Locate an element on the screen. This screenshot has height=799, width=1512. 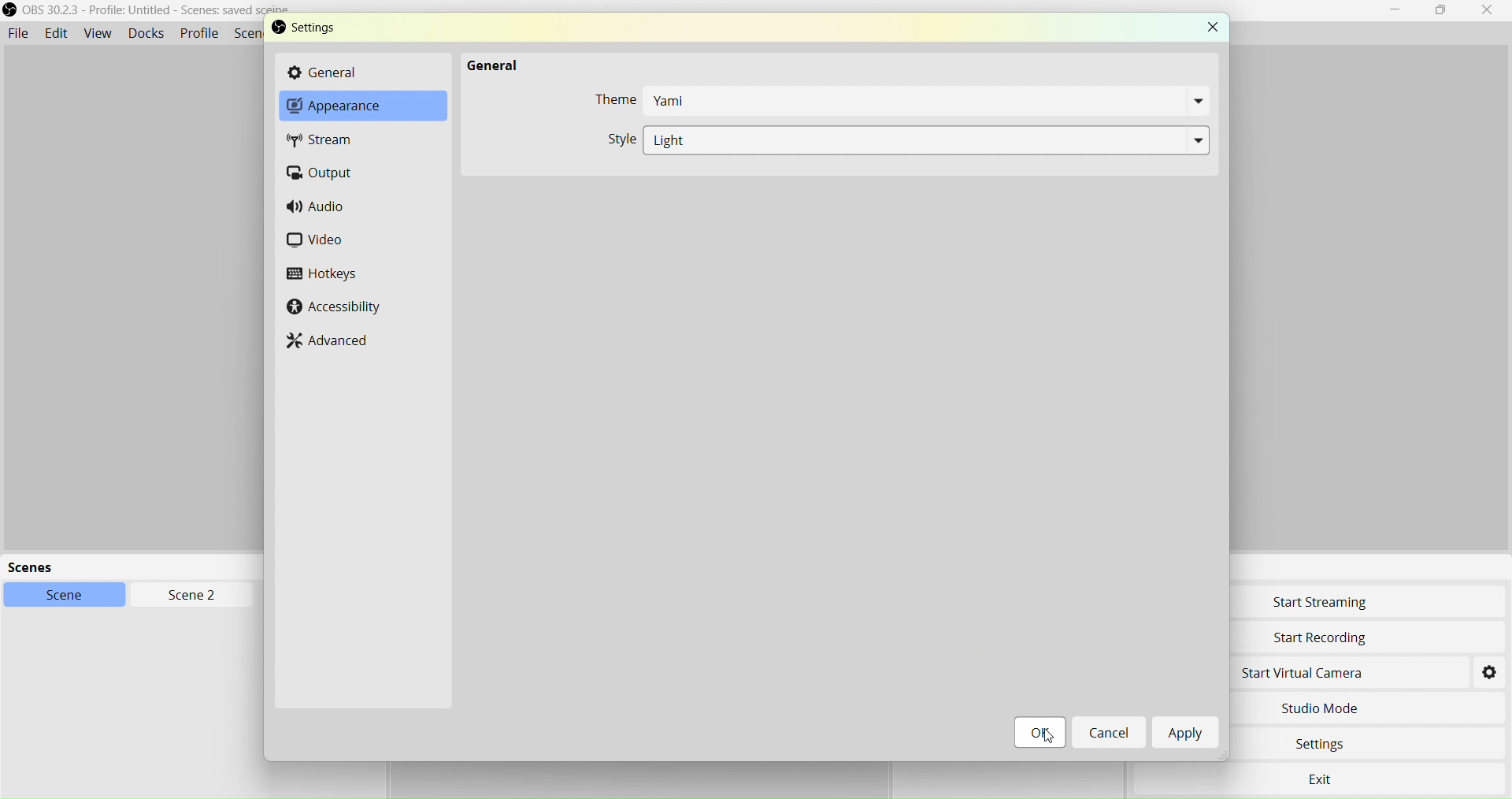
Stream is located at coordinates (336, 142).